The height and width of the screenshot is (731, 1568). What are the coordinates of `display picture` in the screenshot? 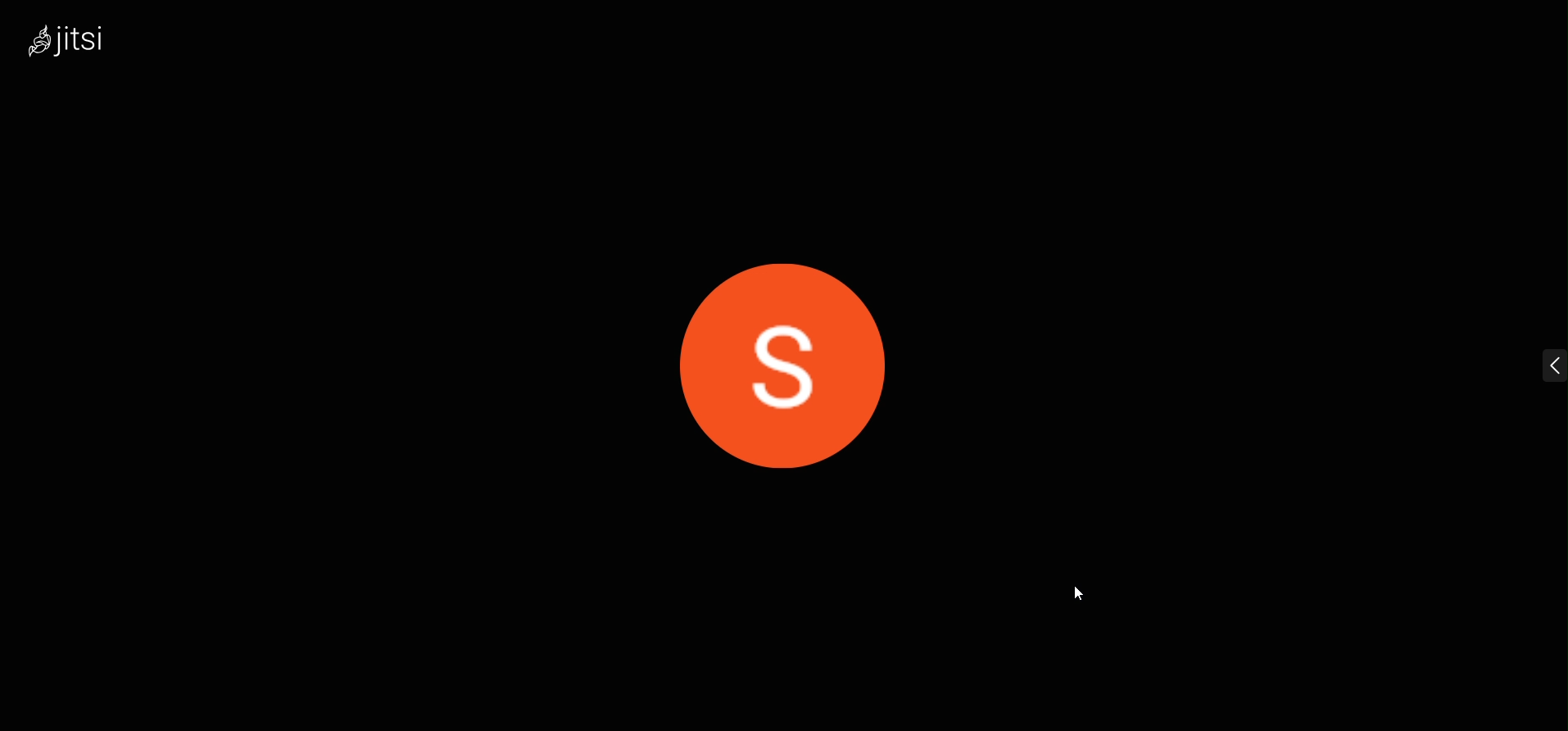 It's located at (800, 349).